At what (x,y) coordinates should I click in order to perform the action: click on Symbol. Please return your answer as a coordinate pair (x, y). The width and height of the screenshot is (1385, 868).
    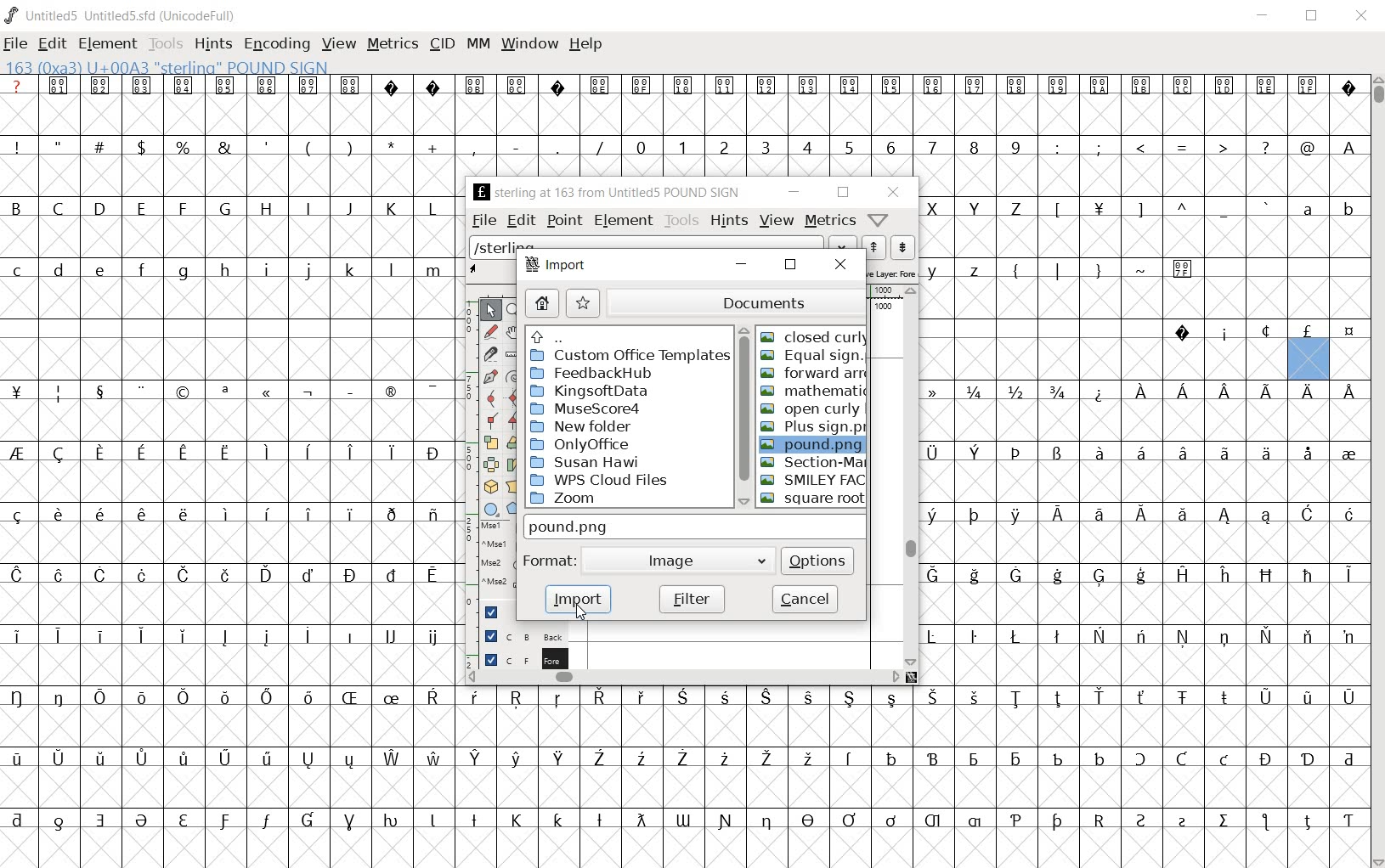
    Looking at the image, I should click on (308, 637).